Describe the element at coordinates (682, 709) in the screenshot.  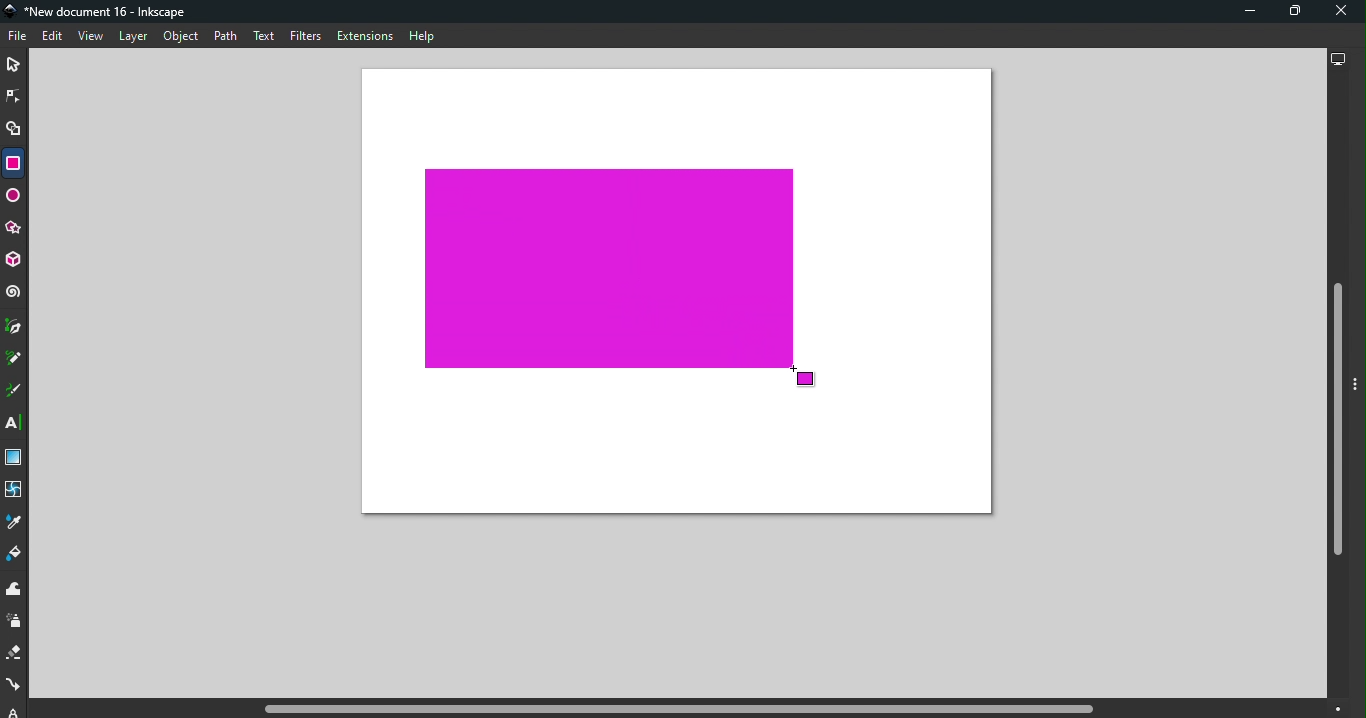
I see `Horizontal scroll bar` at that location.